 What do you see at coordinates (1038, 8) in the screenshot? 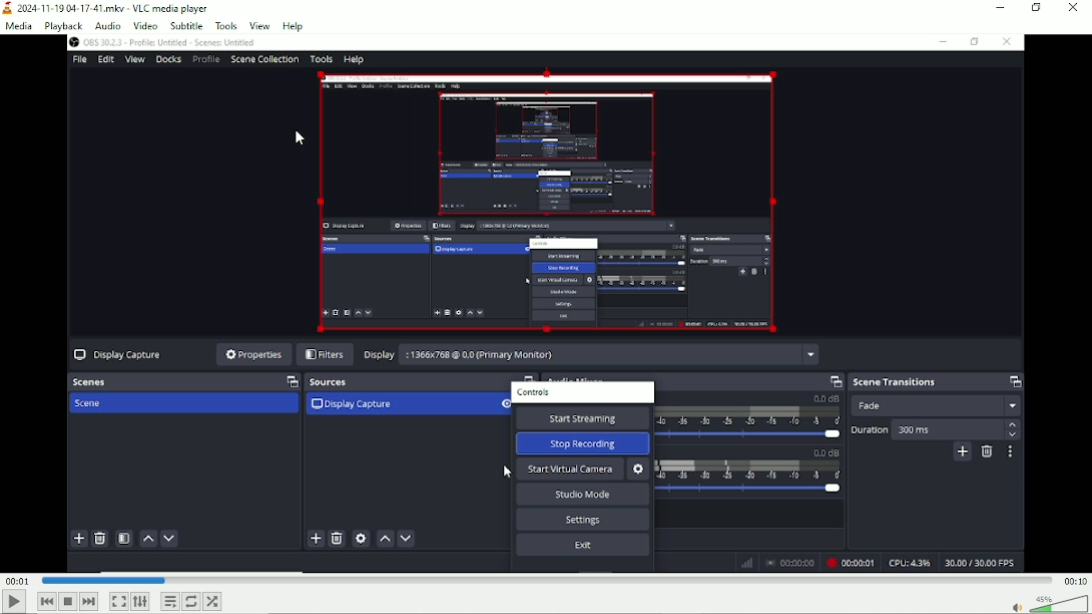
I see `restore down` at bounding box center [1038, 8].